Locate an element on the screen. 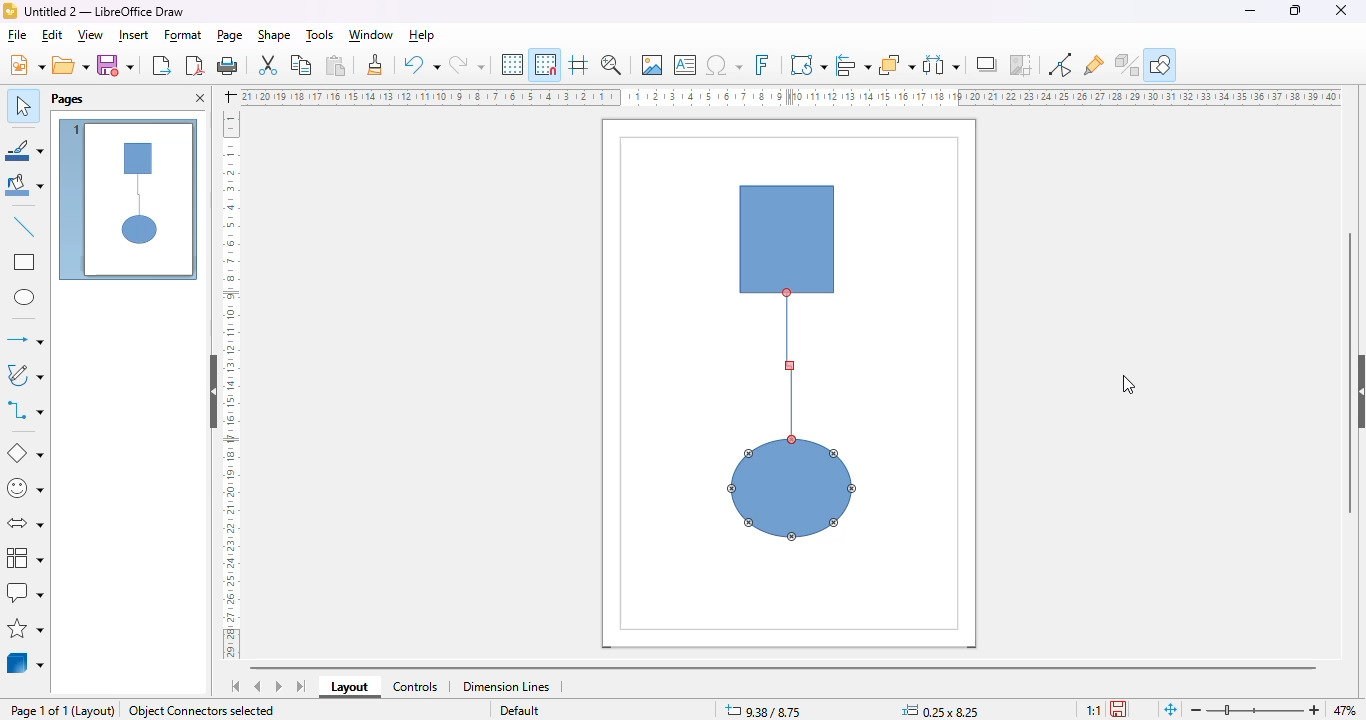 This screenshot has width=1366, height=720. page 1 view of connector tool is located at coordinates (129, 201).